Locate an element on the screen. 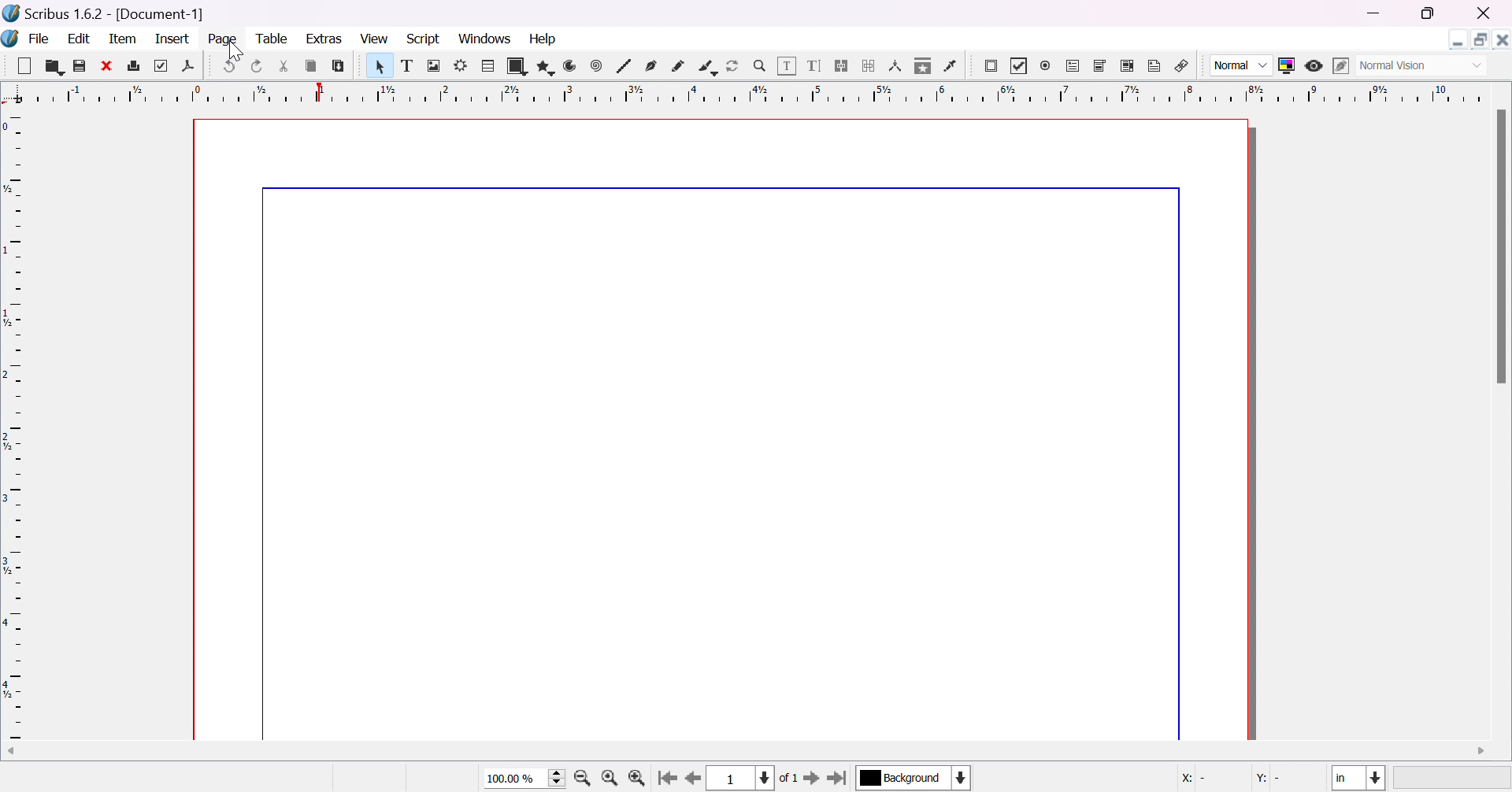  close is located at coordinates (108, 65).